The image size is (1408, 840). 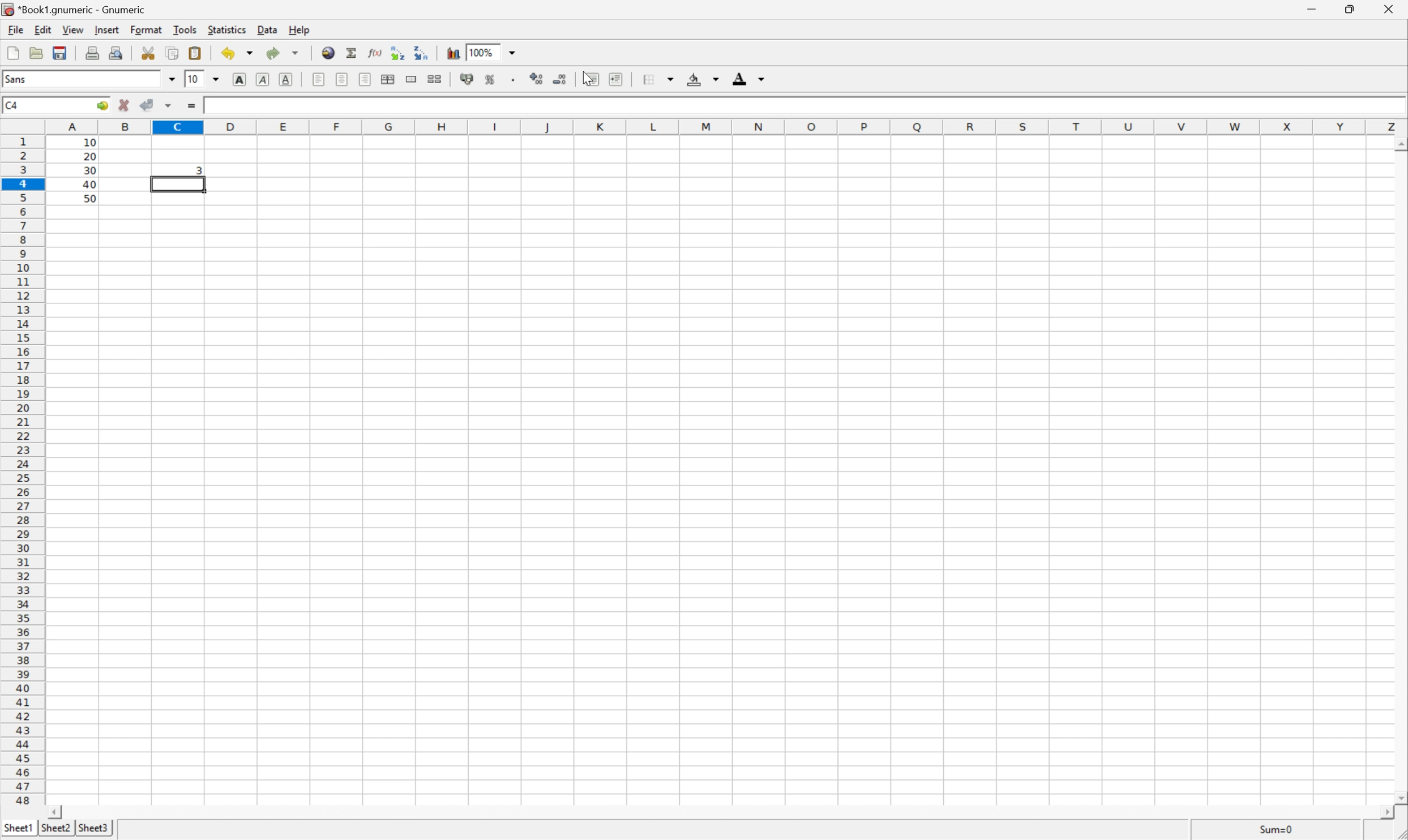 What do you see at coordinates (239, 79) in the screenshot?
I see `bold` at bounding box center [239, 79].